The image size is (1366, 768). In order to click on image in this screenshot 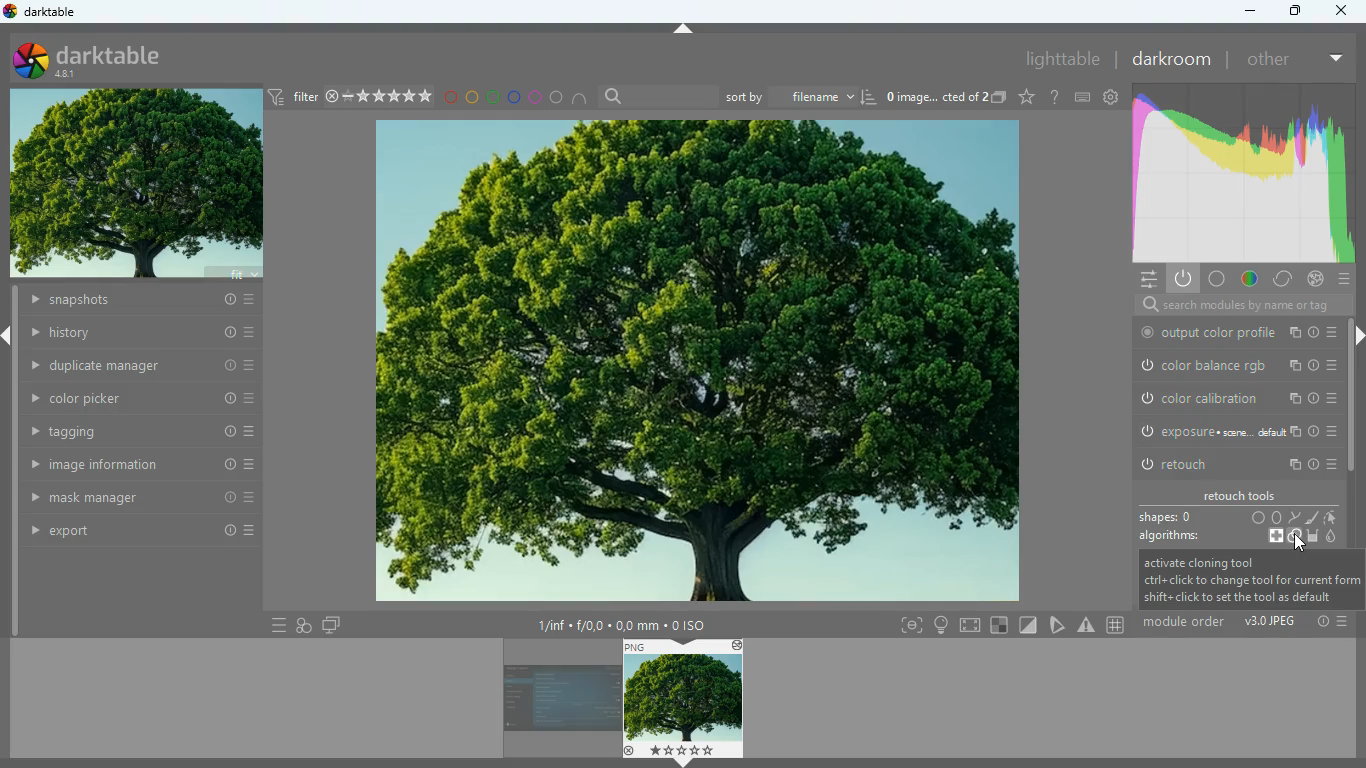, I will do `click(552, 703)`.